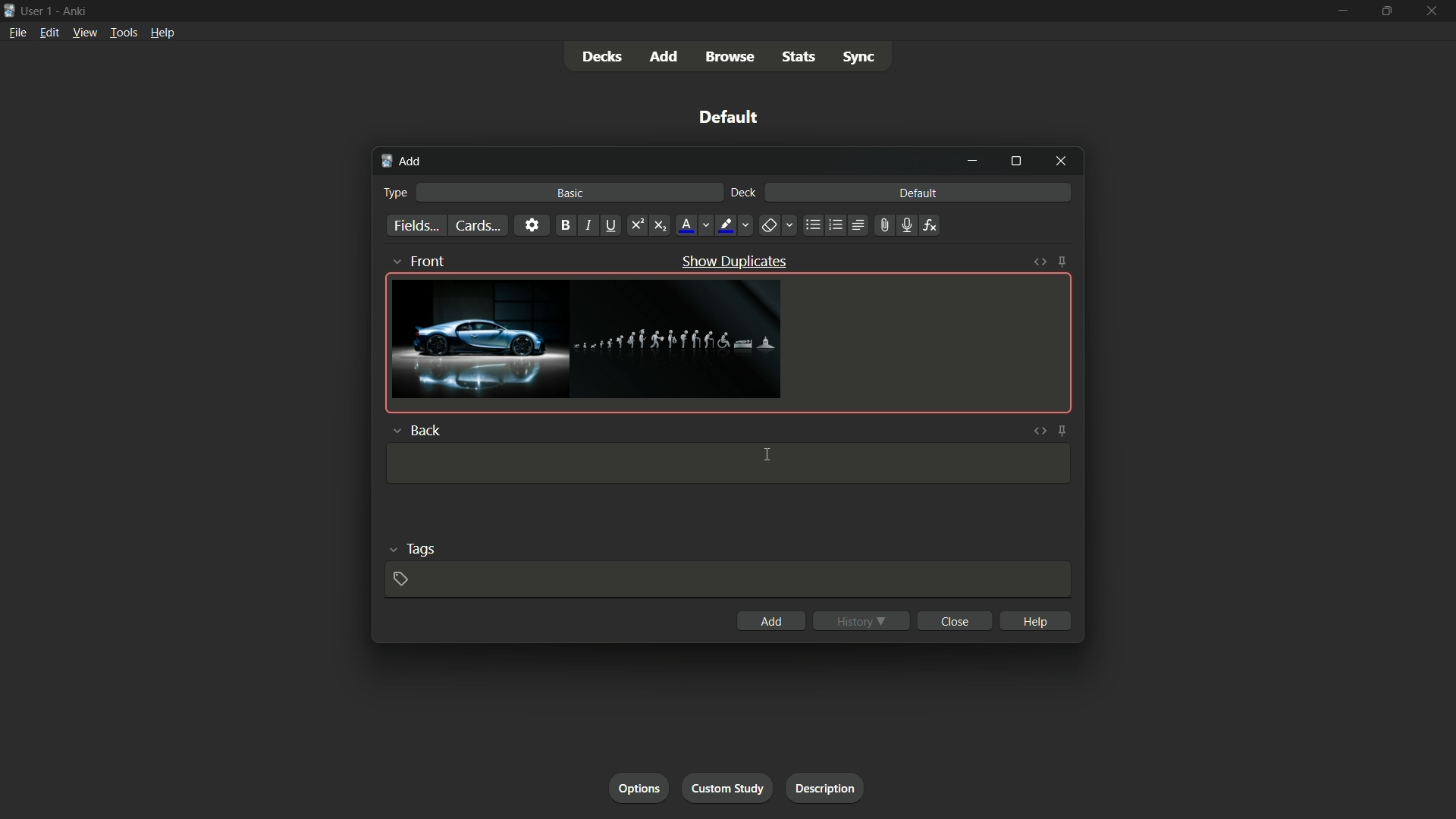 The image size is (1456, 819). What do you see at coordinates (822, 786) in the screenshot?
I see `description` at bounding box center [822, 786].